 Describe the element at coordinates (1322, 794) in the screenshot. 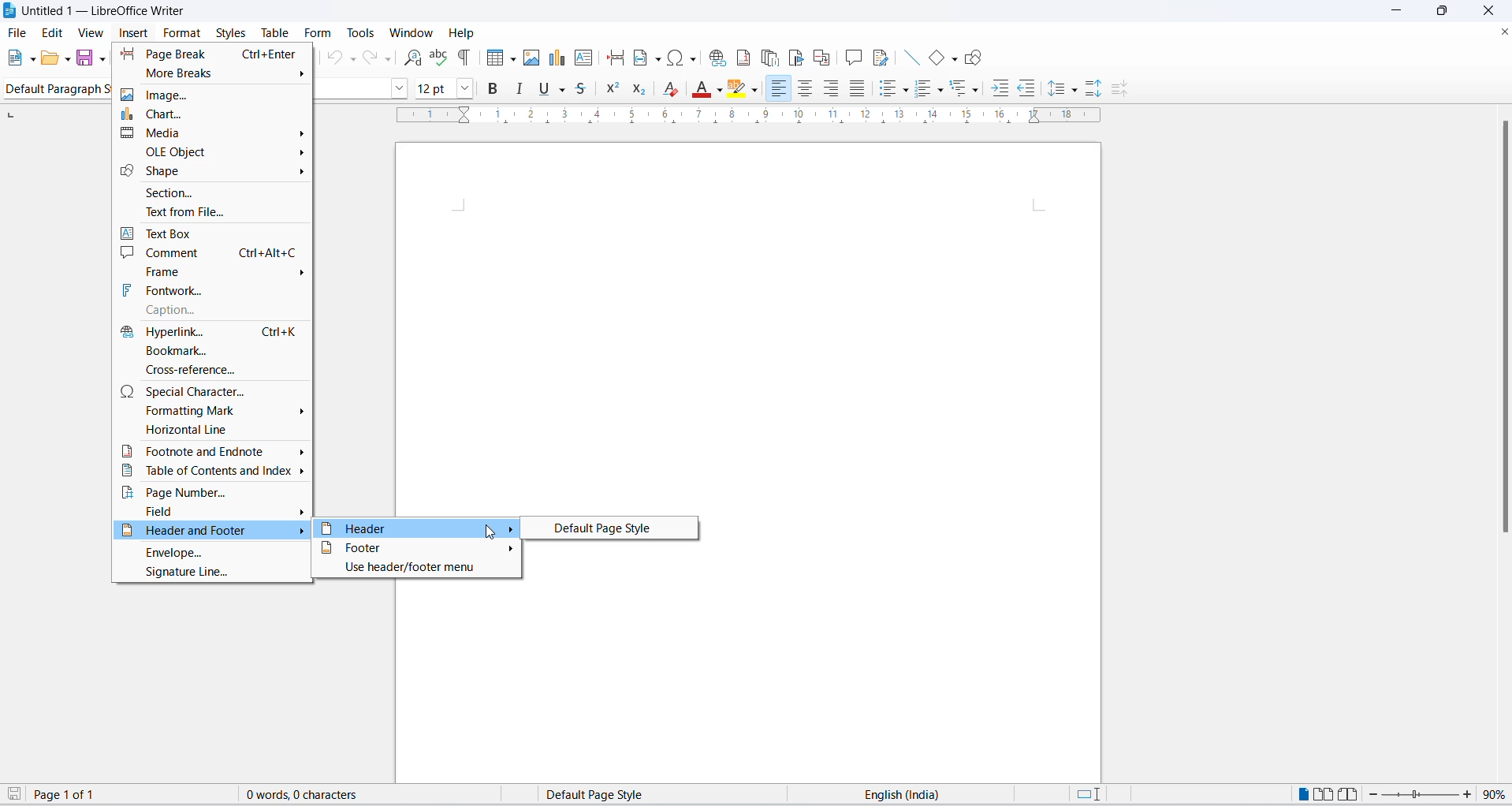

I see `multipage view` at that location.